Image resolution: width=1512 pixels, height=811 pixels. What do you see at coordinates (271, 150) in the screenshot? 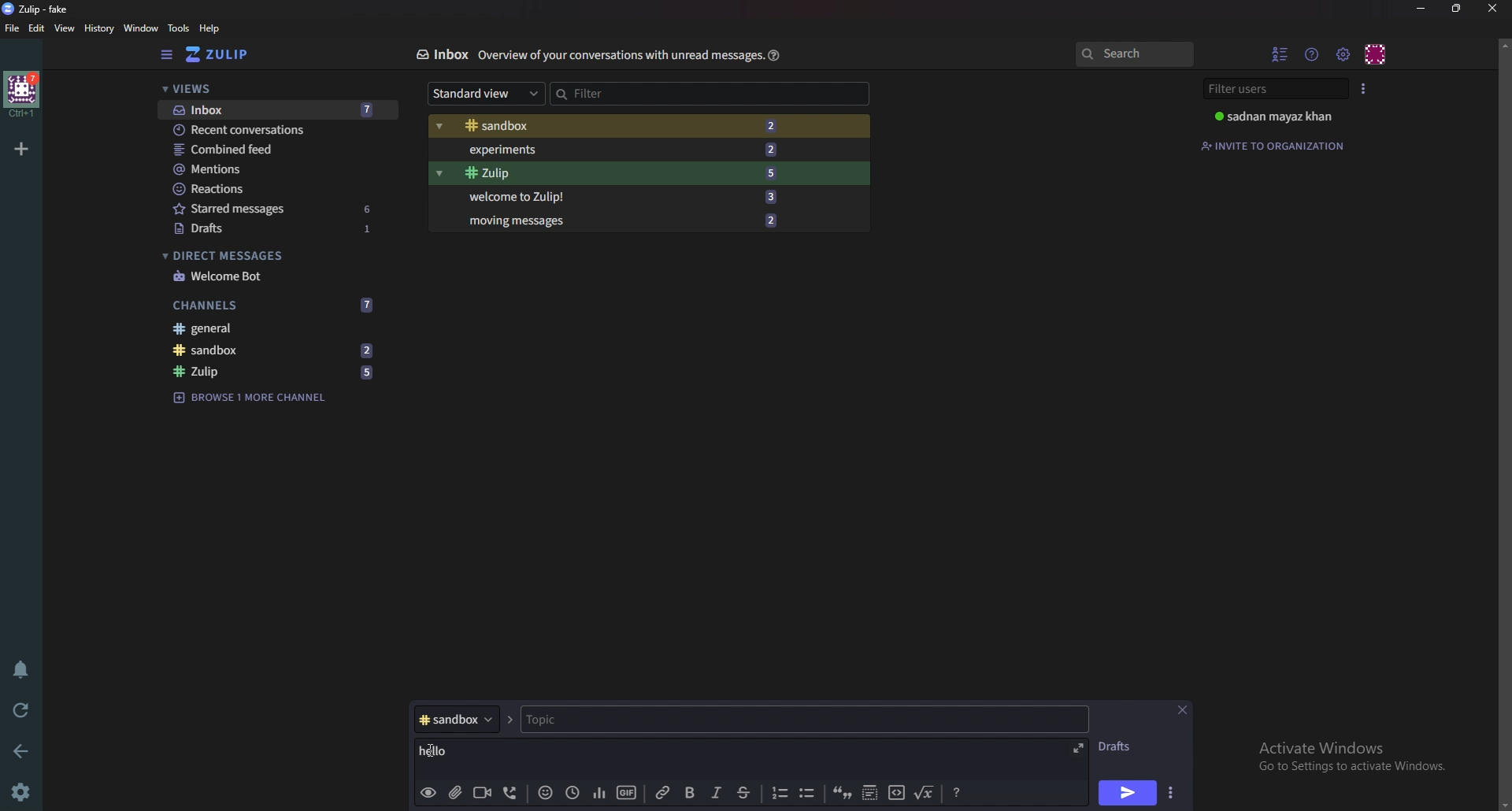
I see `Combined feed` at bounding box center [271, 150].